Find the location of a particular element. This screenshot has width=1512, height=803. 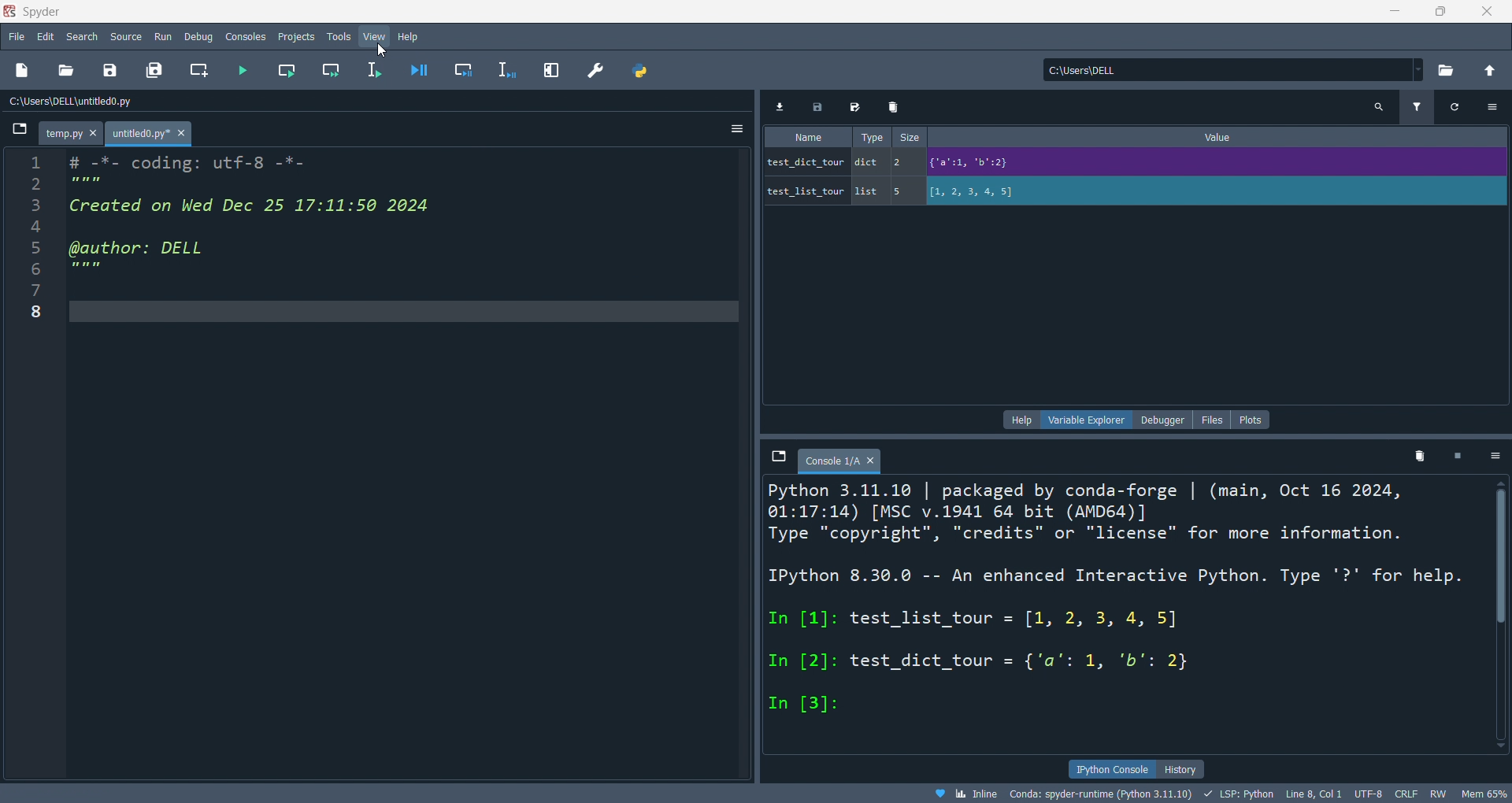

C:\Users\DELL is located at coordinates (1231, 68).